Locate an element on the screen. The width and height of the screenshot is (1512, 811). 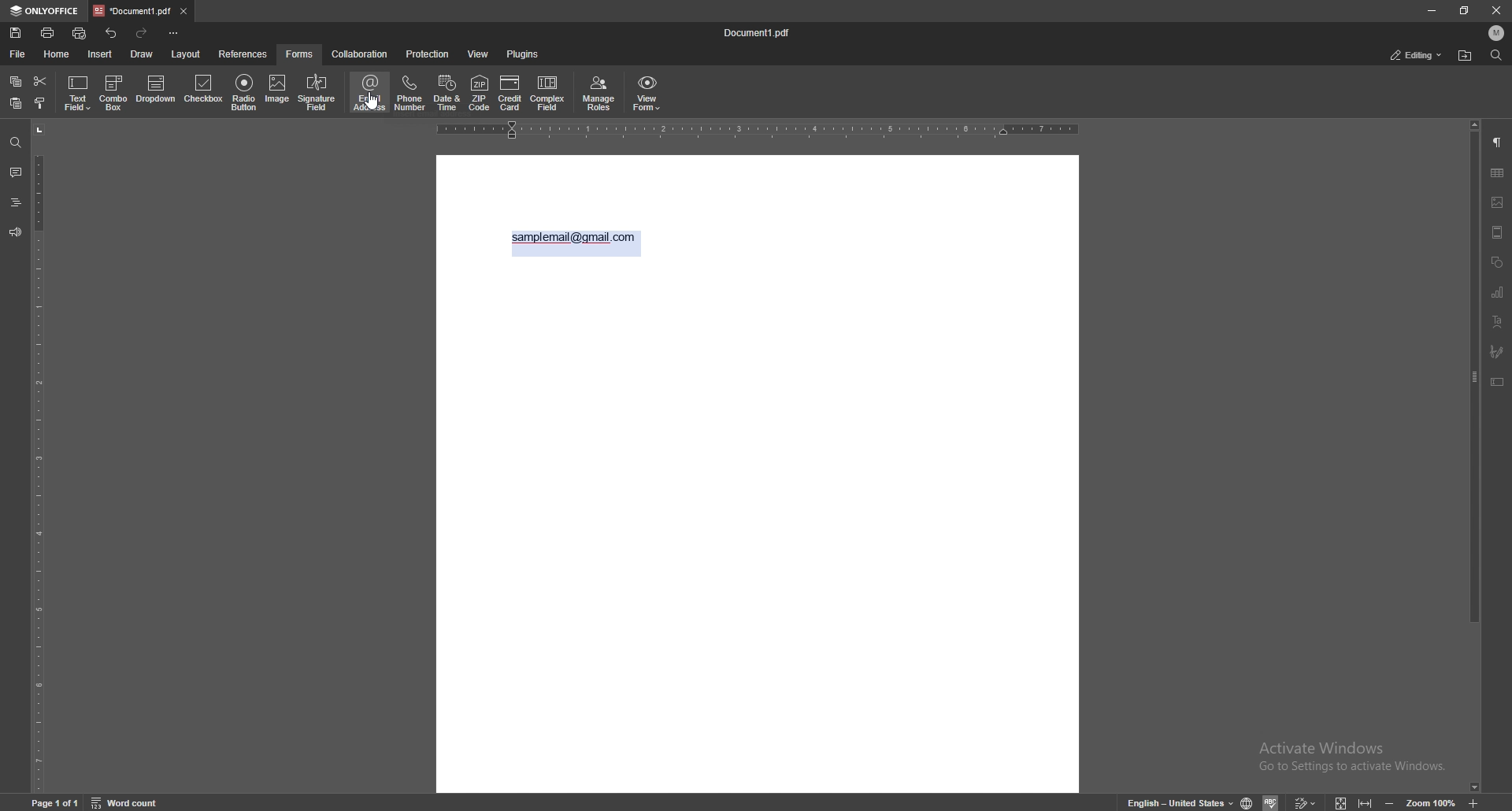
undo is located at coordinates (112, 34).